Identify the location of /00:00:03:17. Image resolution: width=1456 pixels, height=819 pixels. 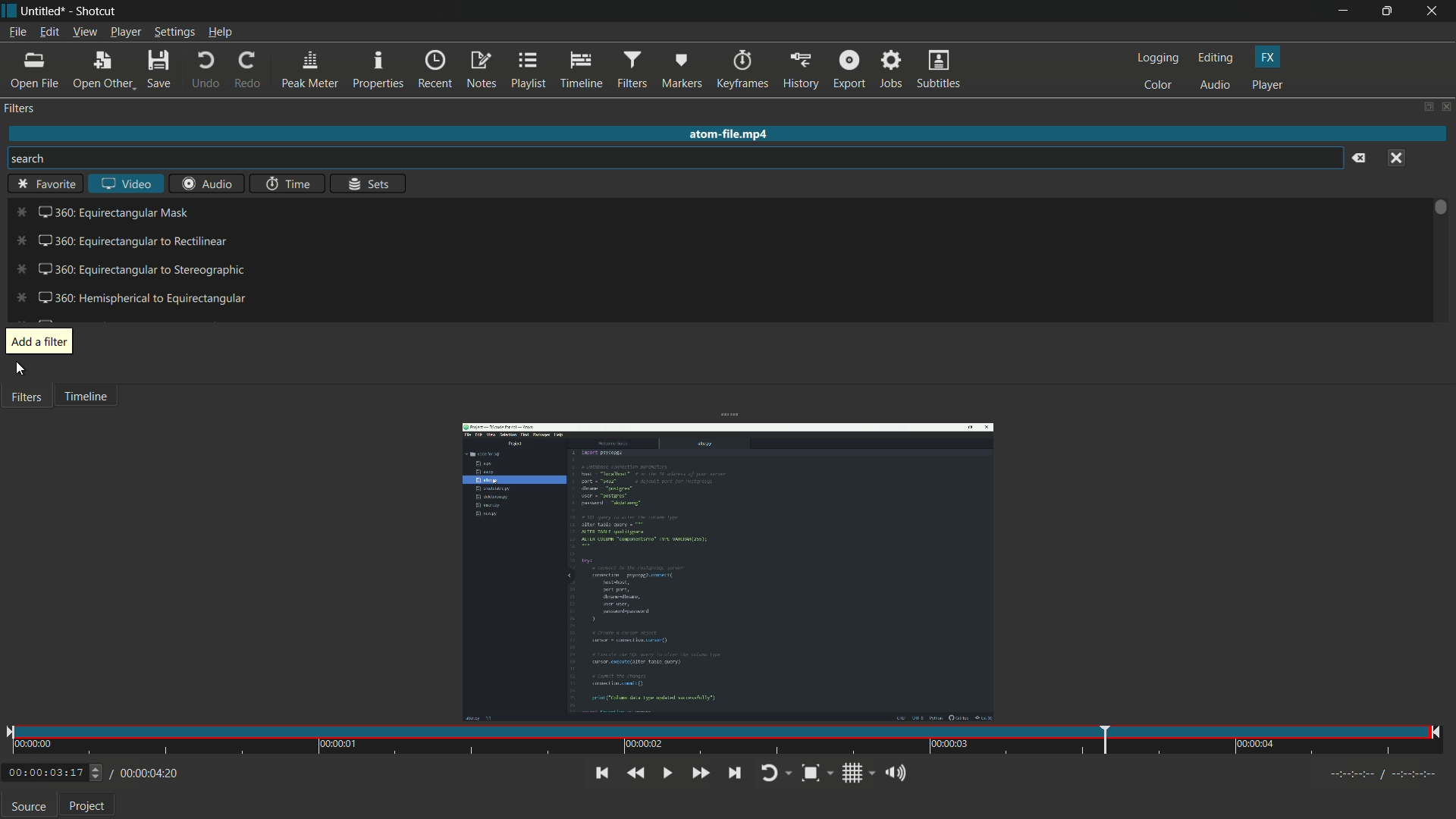
(50, 773).